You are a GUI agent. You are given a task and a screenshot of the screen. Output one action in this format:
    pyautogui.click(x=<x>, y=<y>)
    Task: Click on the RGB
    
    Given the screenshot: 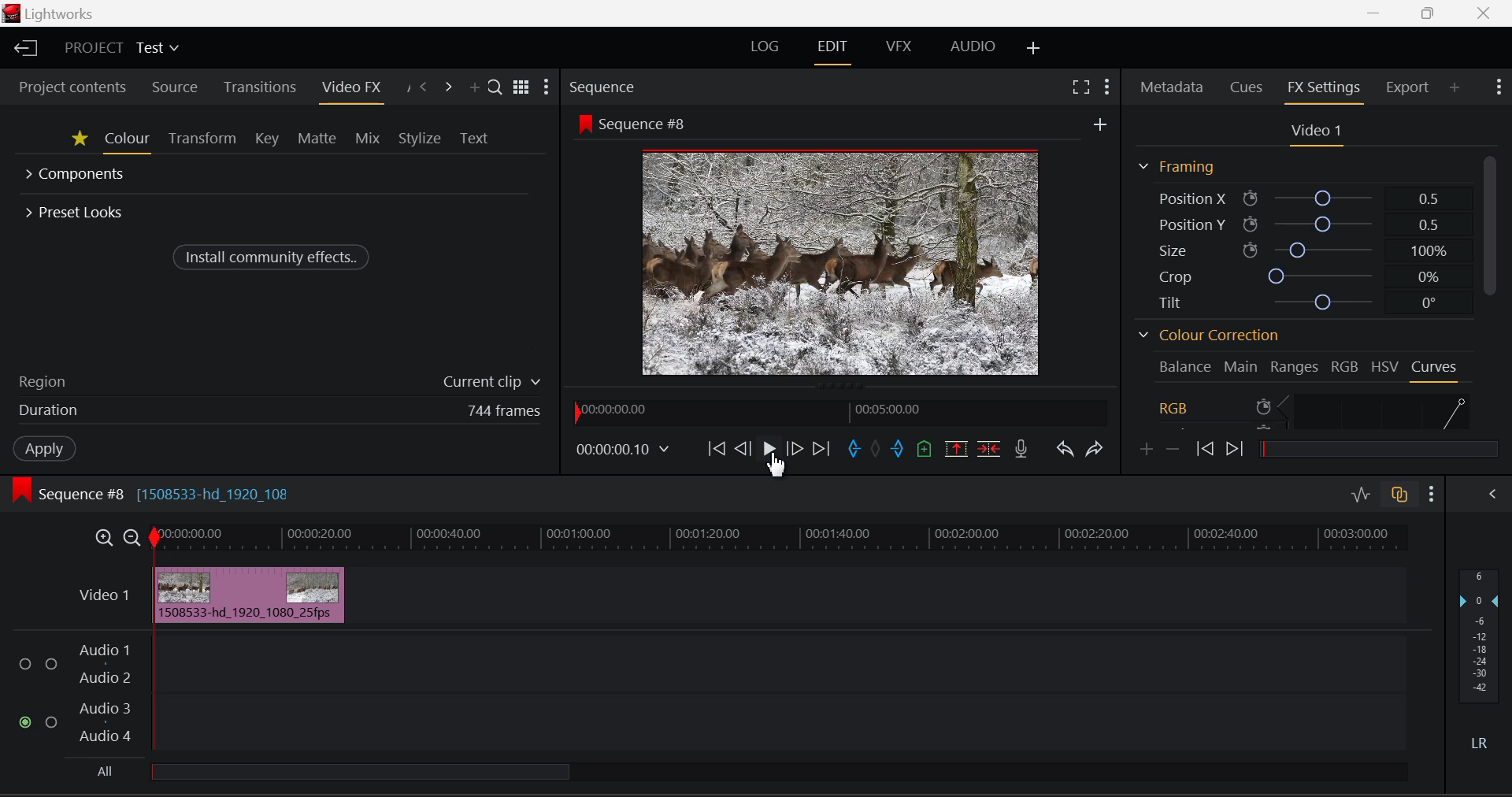 What is the action you would take?
    pyautogui.click(x=1345, y=365)
    